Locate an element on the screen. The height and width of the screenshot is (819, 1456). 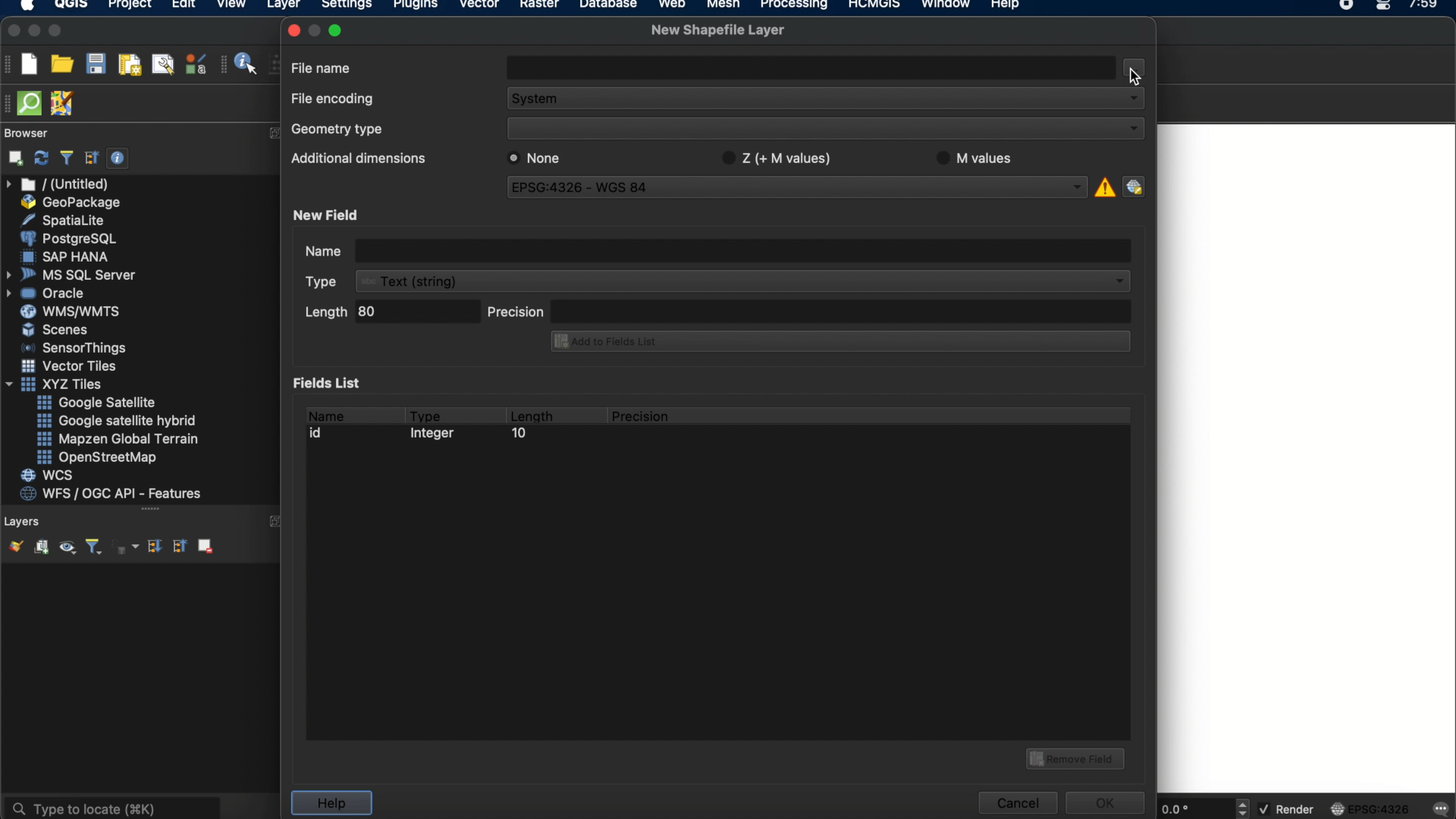
filter legend by expression is located at coordinates (127, 547).